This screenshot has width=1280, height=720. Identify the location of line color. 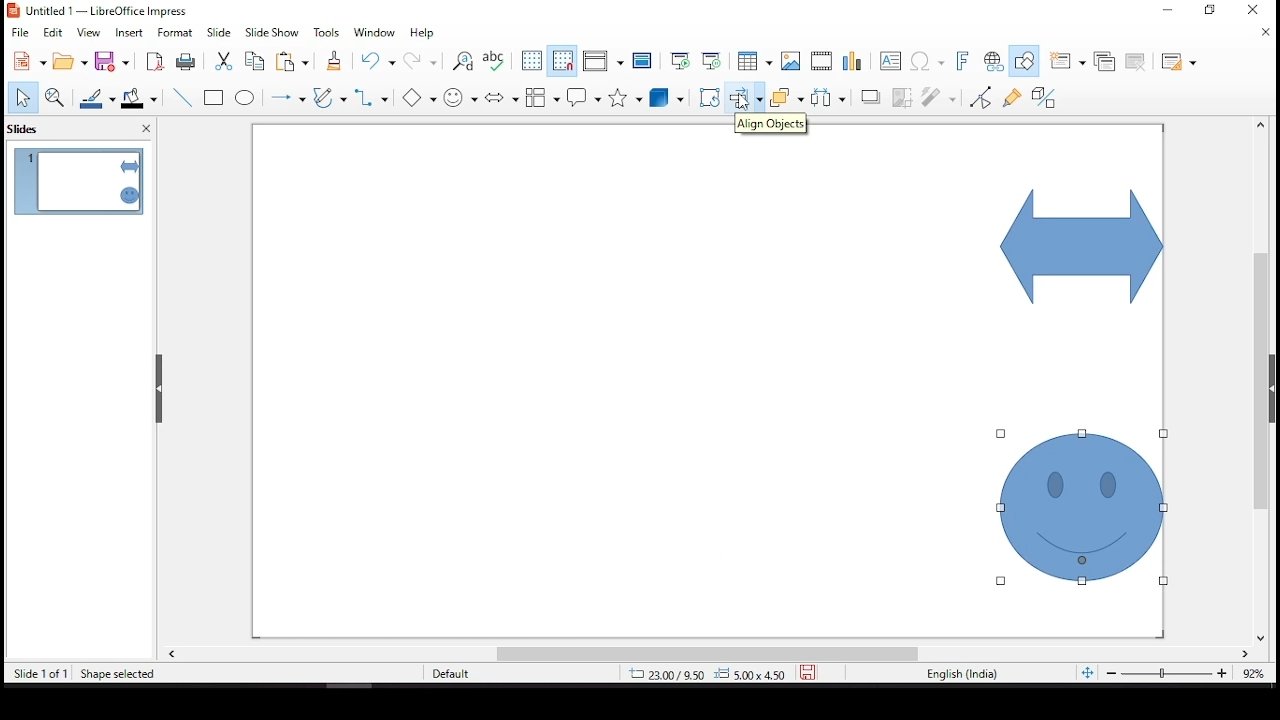
(99, 98).